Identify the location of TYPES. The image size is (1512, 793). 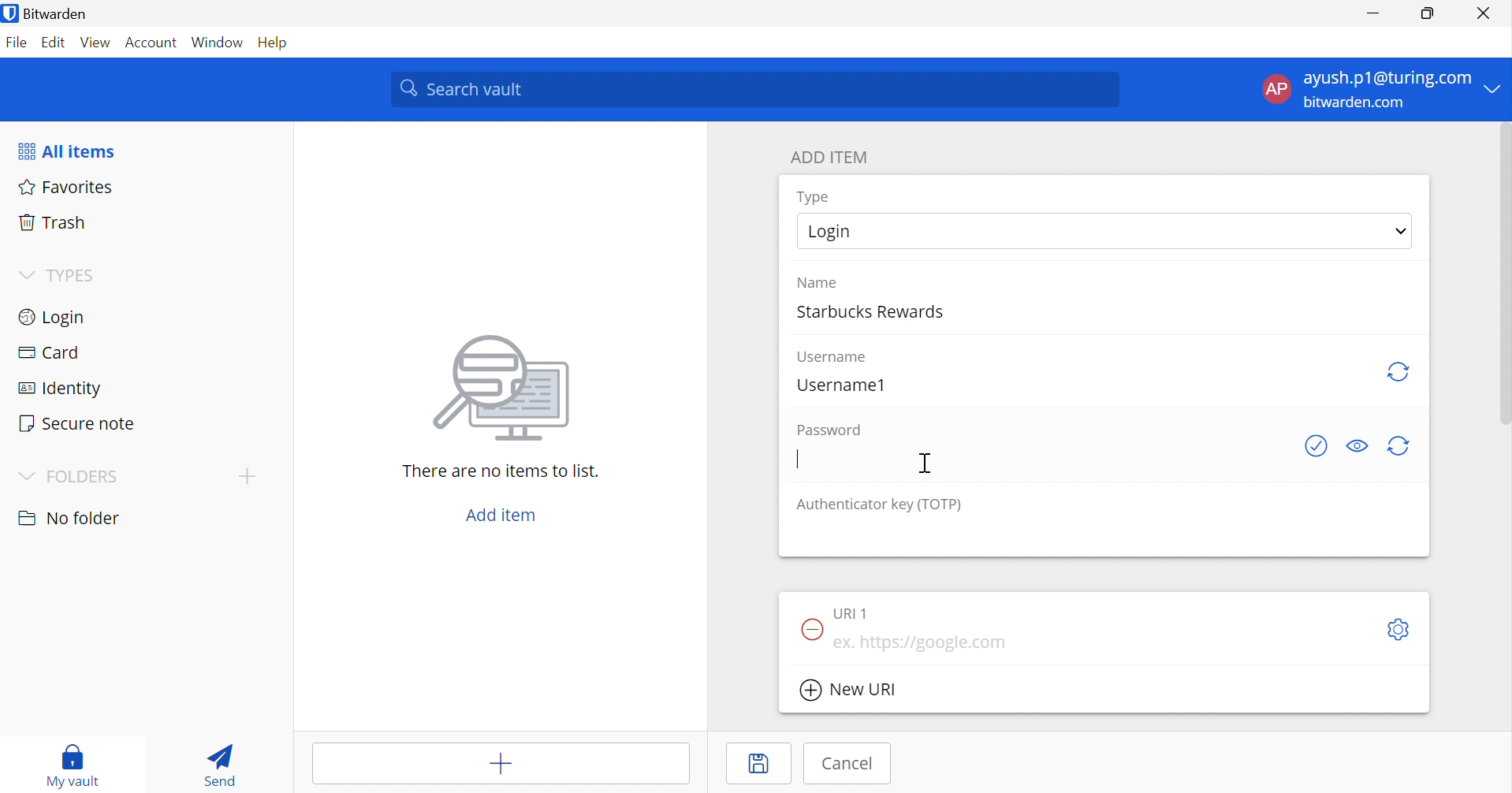
(76, 275).